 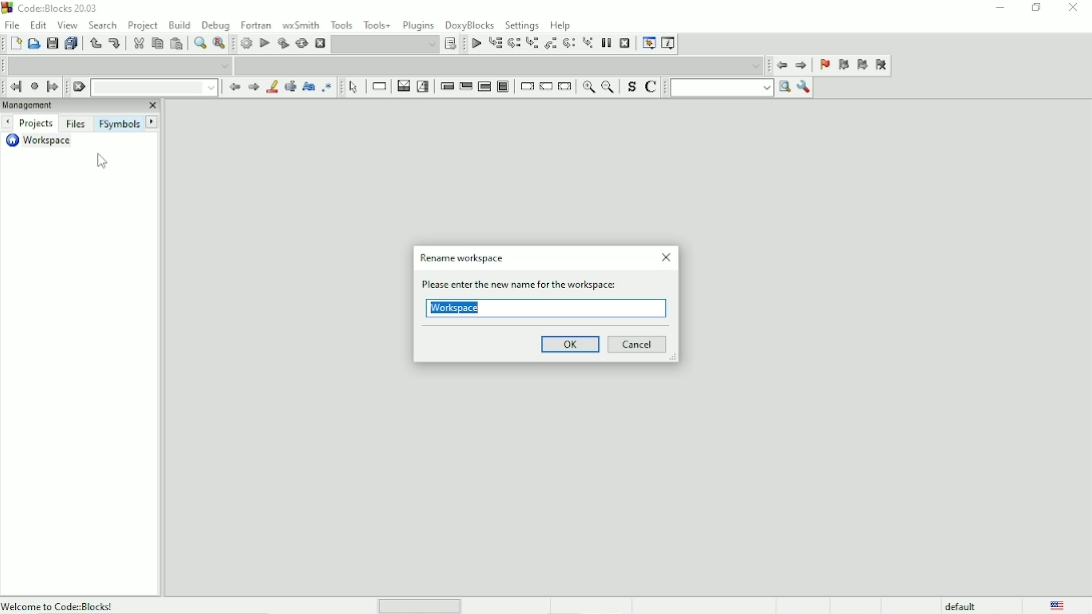 I want to click on Run, so click(x=264, y=43).